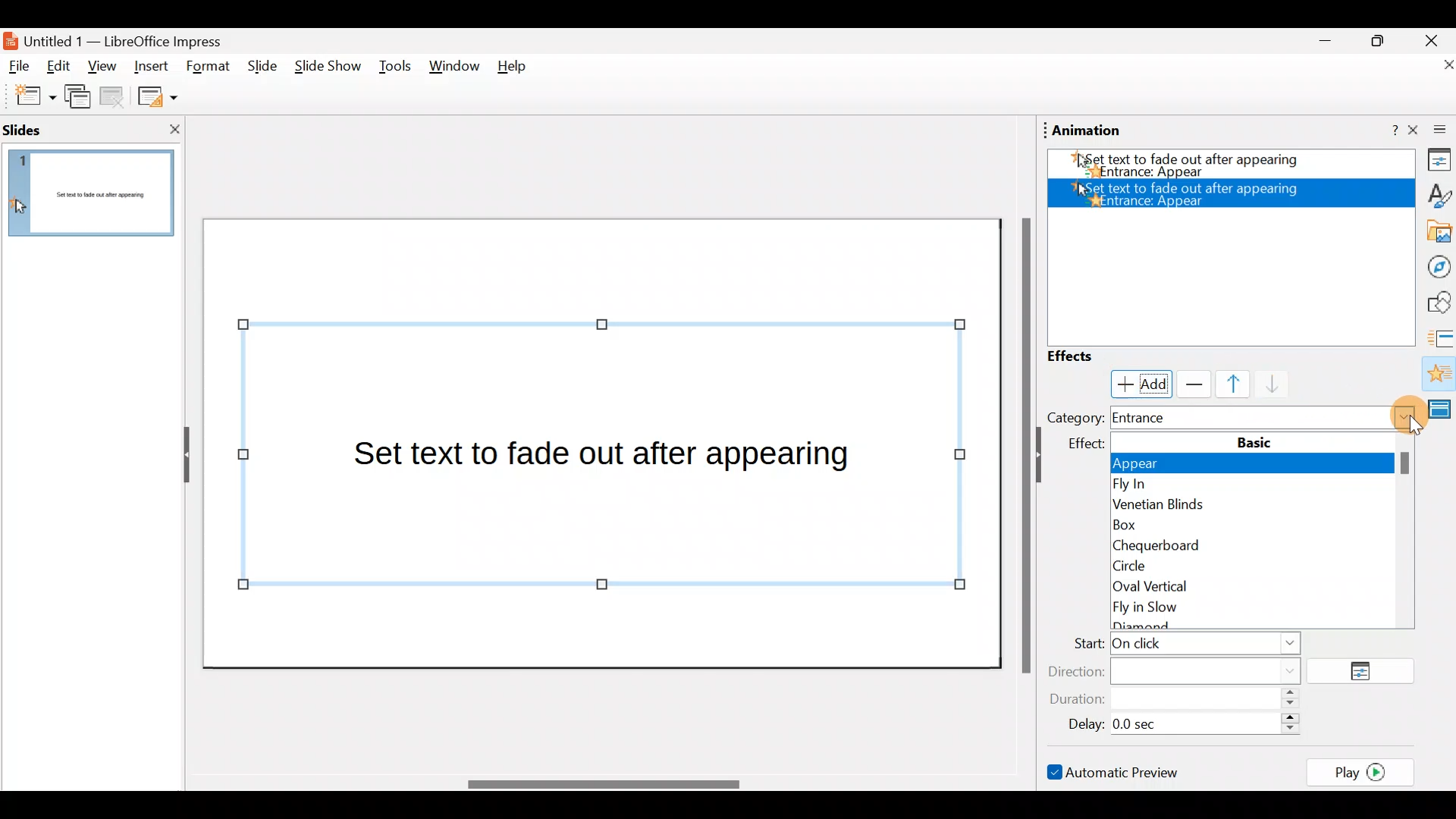  What do you see at coordinates (124, 39) in the screenshot?
I see `Document name` at bounding box center [124, 39].